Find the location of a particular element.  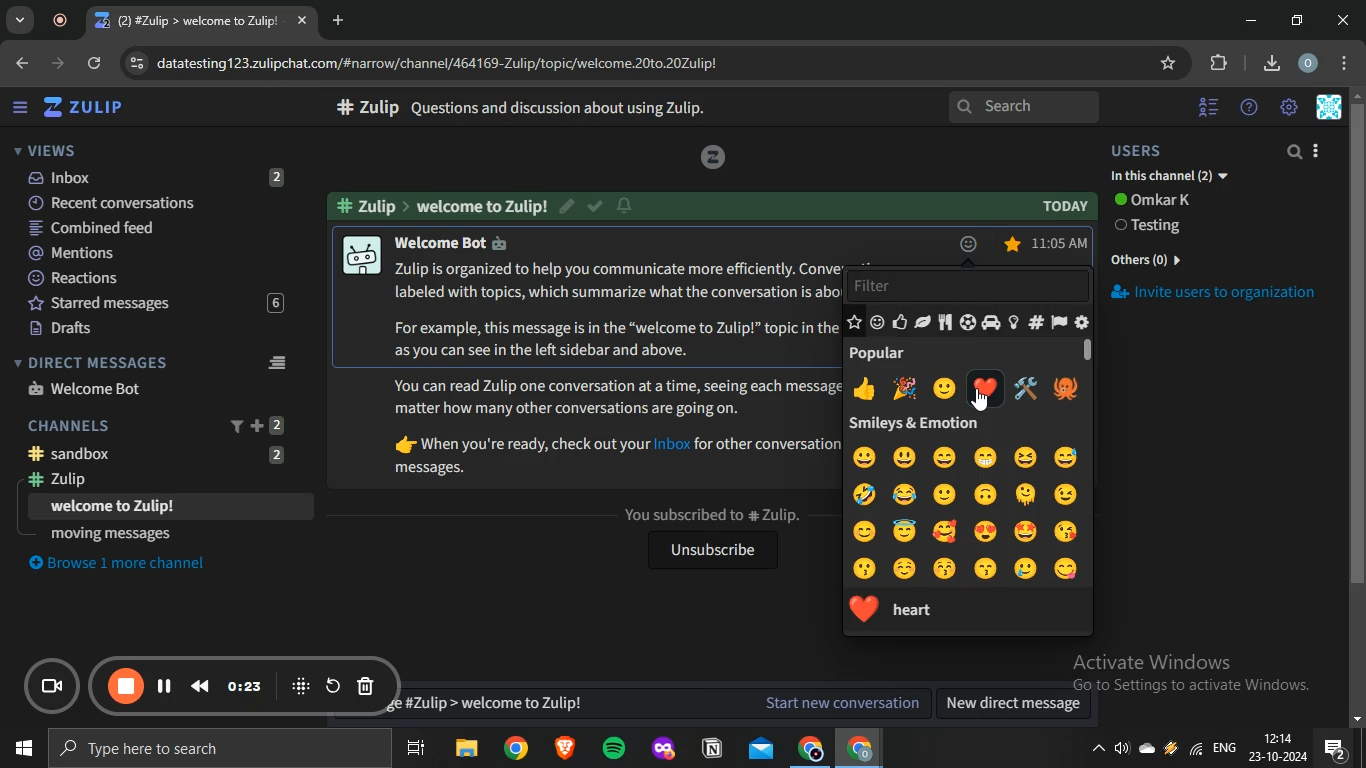

users is located at coordinates (1153, 151).